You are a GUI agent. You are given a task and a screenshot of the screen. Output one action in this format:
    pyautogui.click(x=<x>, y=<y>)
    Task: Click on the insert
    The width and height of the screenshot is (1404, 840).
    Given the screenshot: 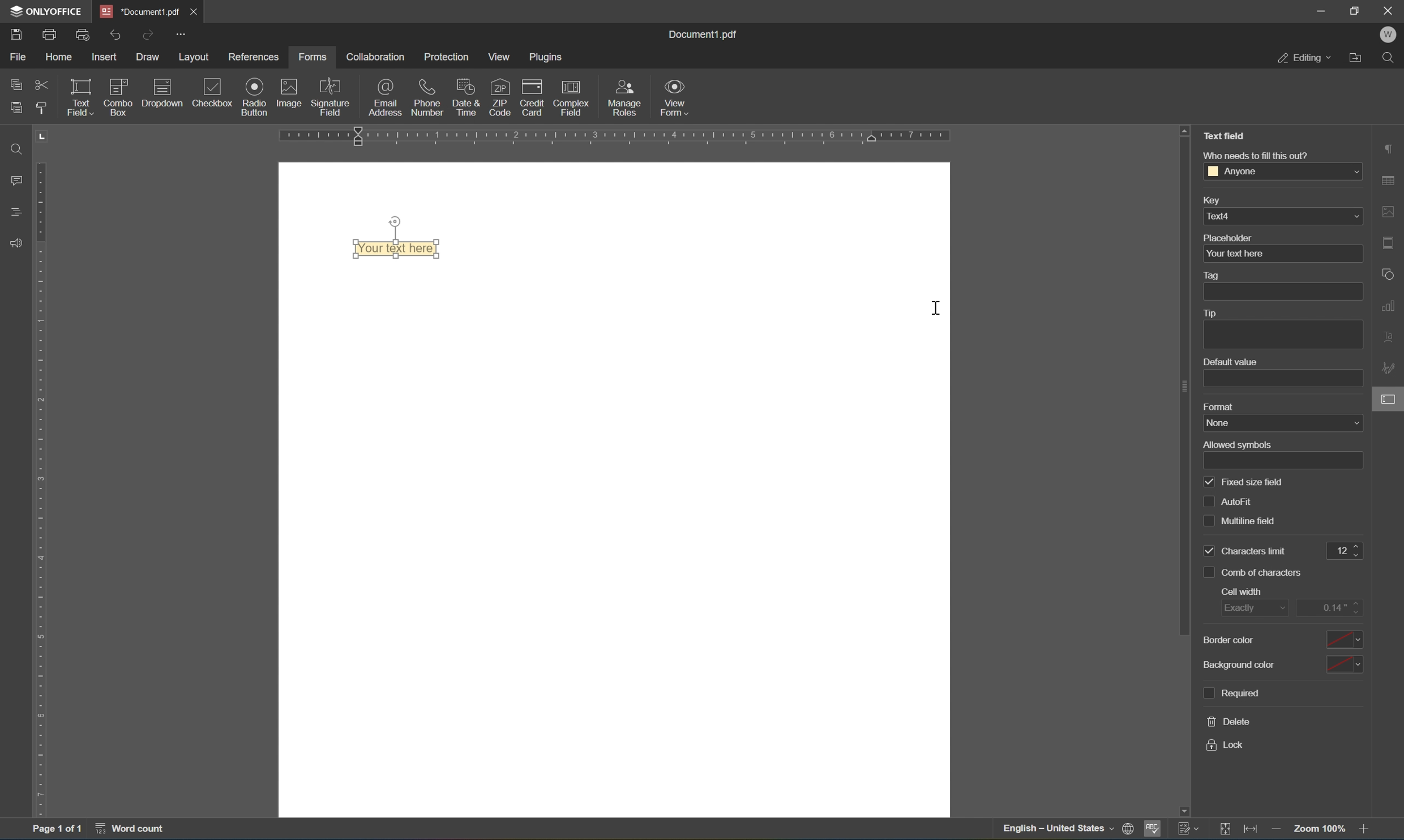 What is the action you would take?
    pyautogui.click(x=103, y=57)
    